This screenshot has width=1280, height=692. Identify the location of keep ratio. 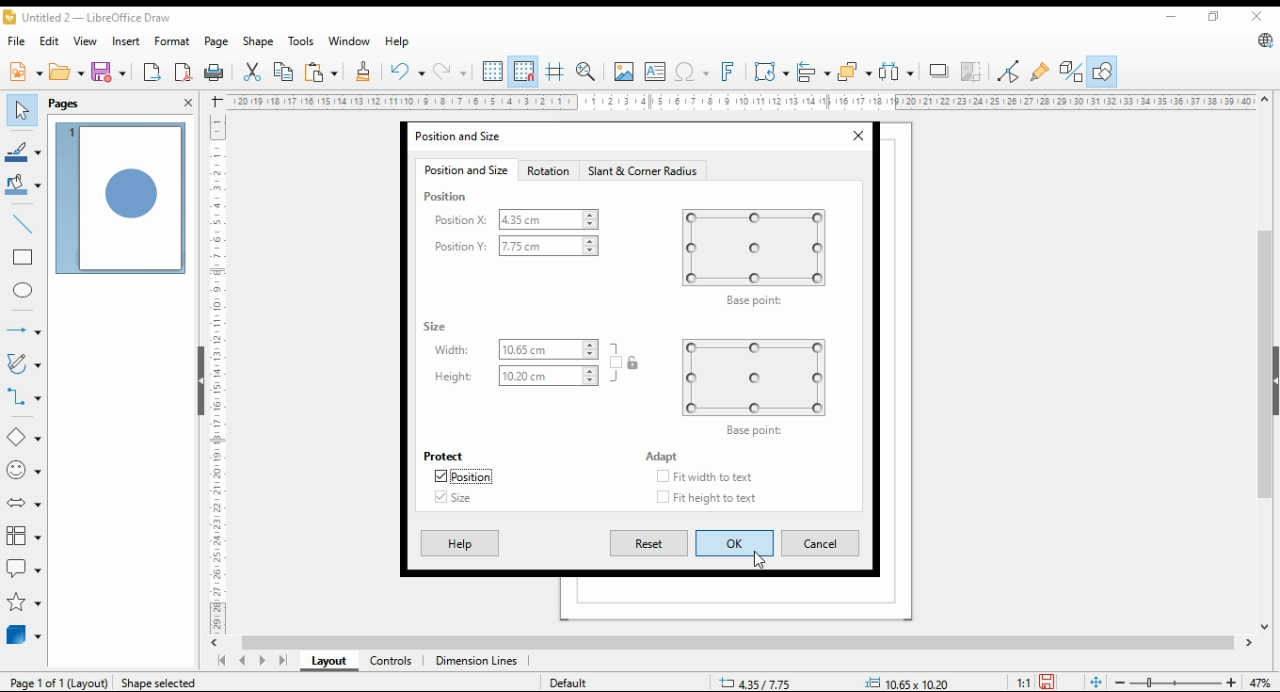
(623, 362).